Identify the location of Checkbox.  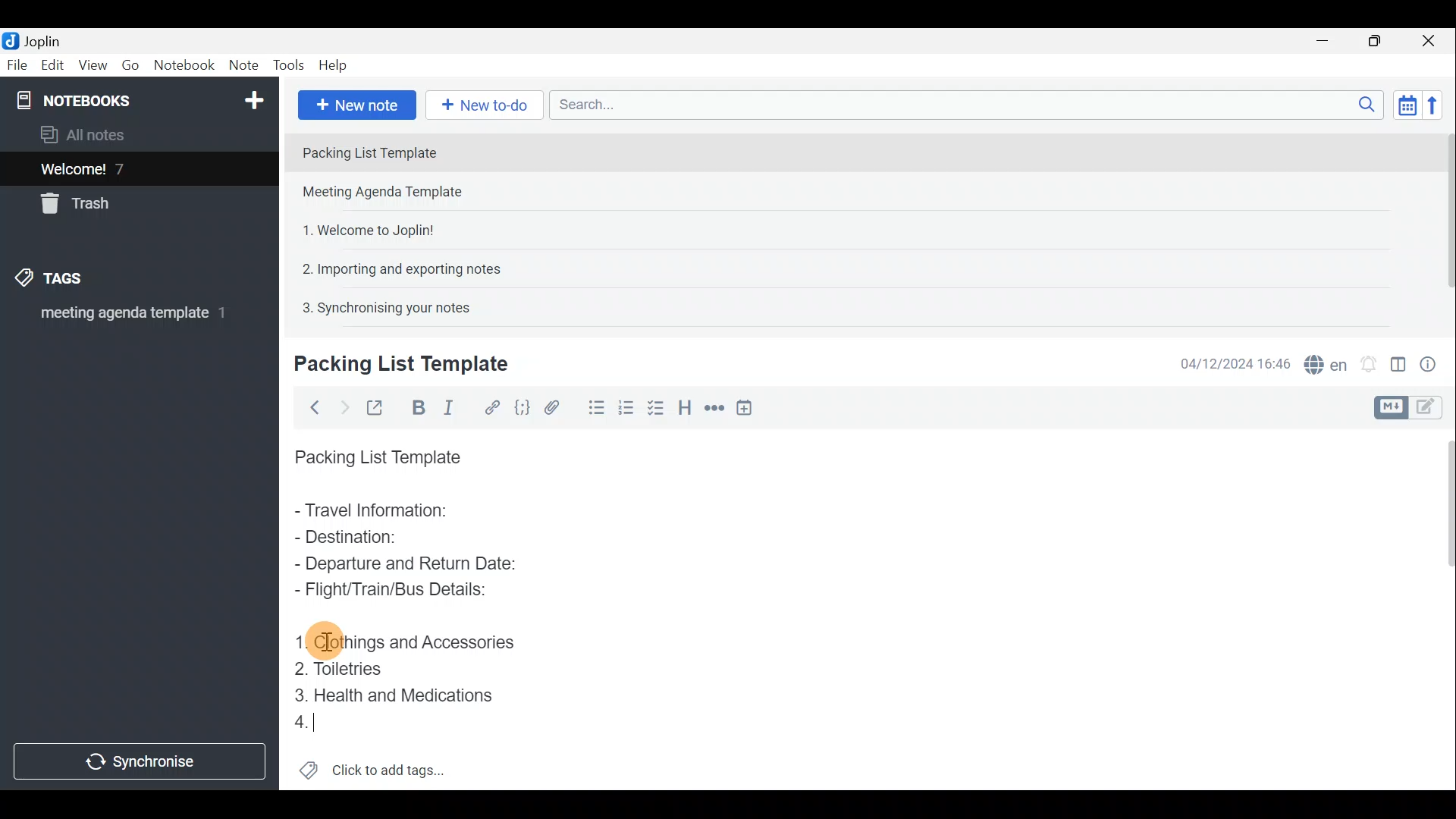
(626, 405).